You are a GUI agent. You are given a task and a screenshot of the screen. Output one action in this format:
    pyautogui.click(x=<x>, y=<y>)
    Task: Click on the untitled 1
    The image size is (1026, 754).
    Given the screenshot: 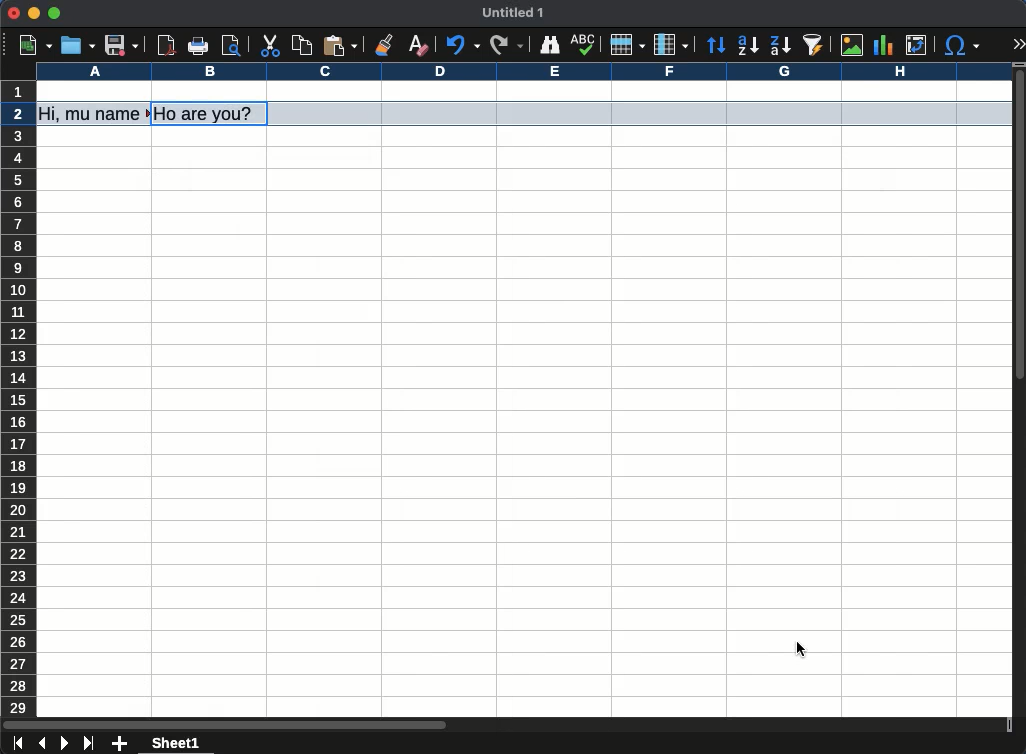 What is the action you would take?
    pyautogui.click(x=512, y=12)
    